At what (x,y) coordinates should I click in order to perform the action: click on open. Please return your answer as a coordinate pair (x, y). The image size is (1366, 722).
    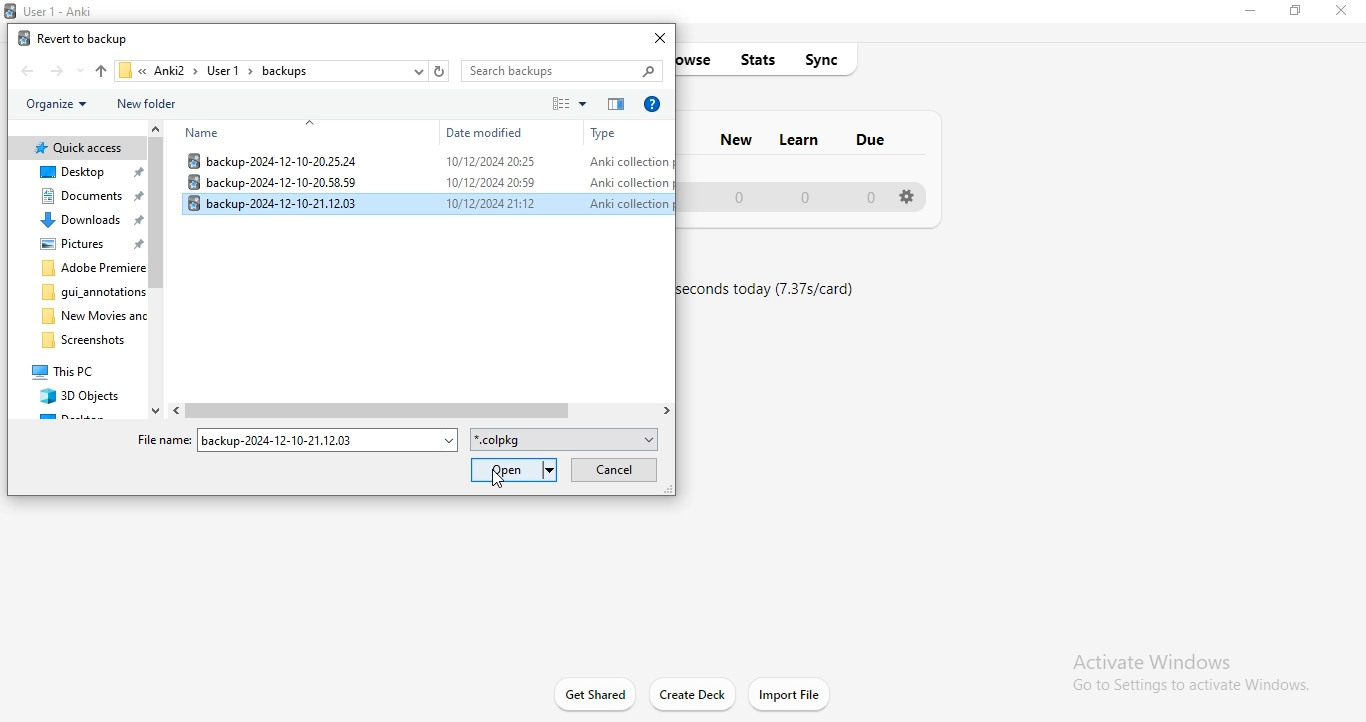
    Looking at the image, I should click on (516, 470).